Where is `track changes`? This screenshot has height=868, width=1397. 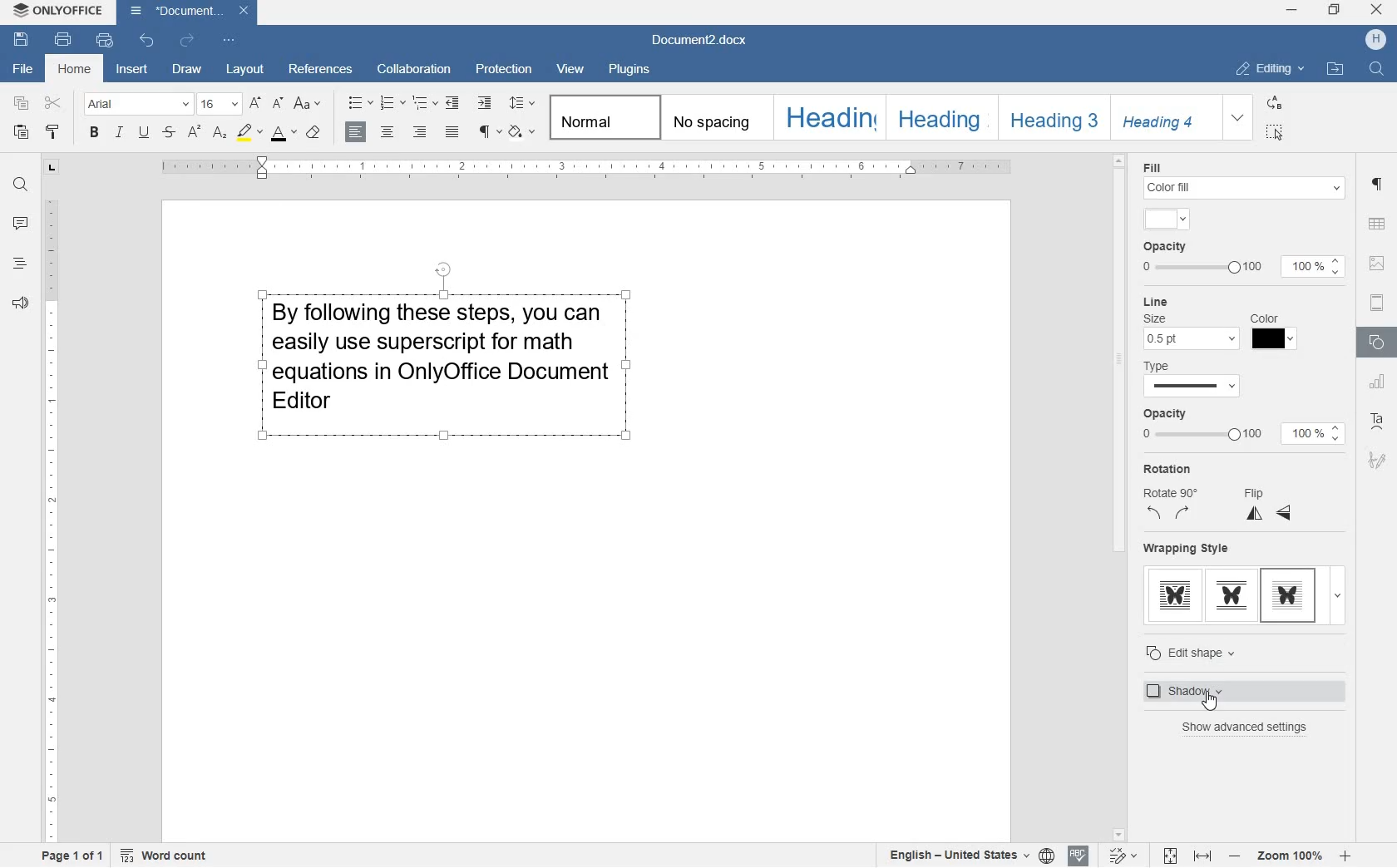 track changes is located at coordinates (1124, 855).